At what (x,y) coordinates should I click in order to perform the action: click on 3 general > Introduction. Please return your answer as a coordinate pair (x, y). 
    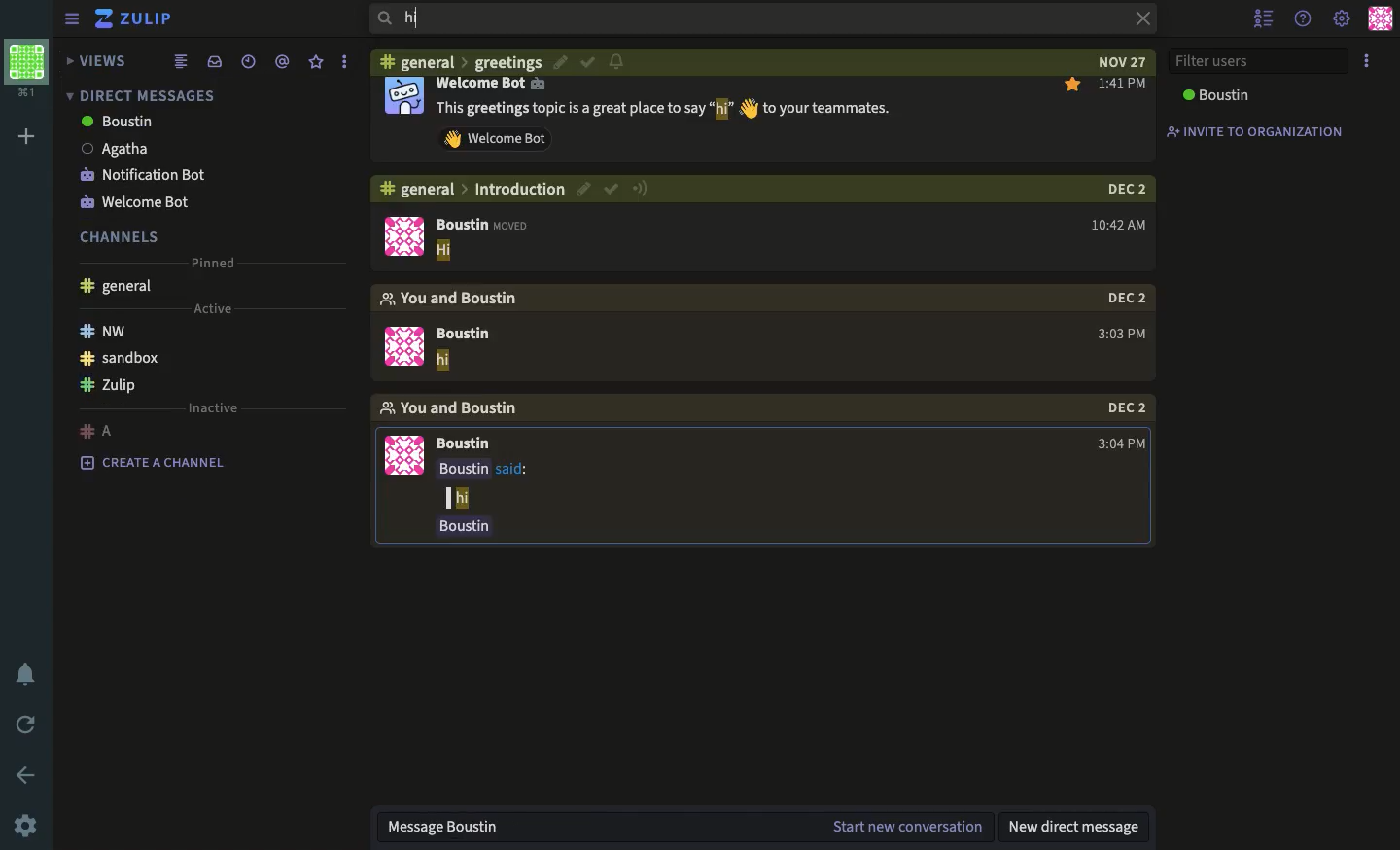
    Looking at the image, I should click on (472, 189).